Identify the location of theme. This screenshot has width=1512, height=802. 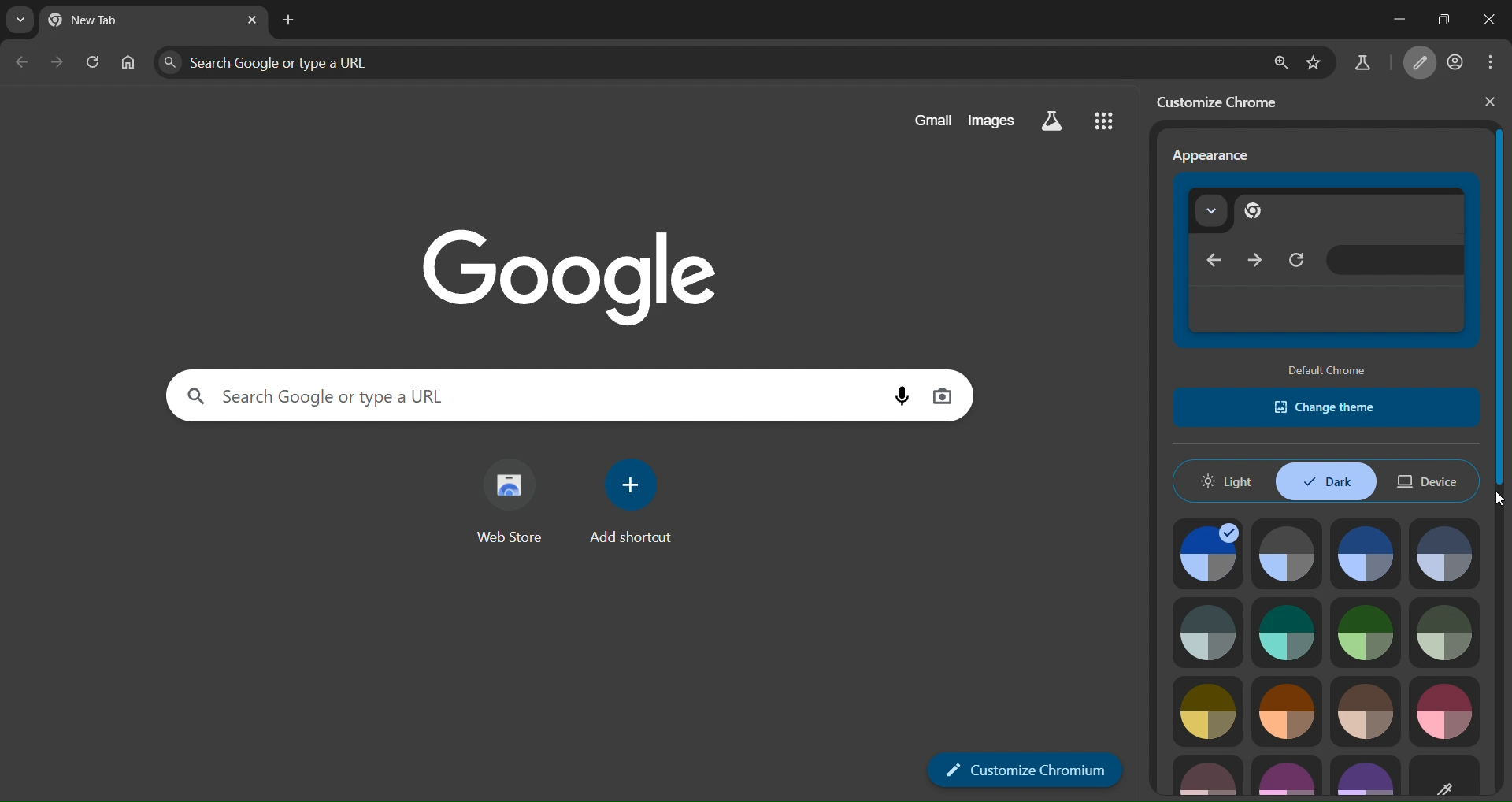
(1369, 713).